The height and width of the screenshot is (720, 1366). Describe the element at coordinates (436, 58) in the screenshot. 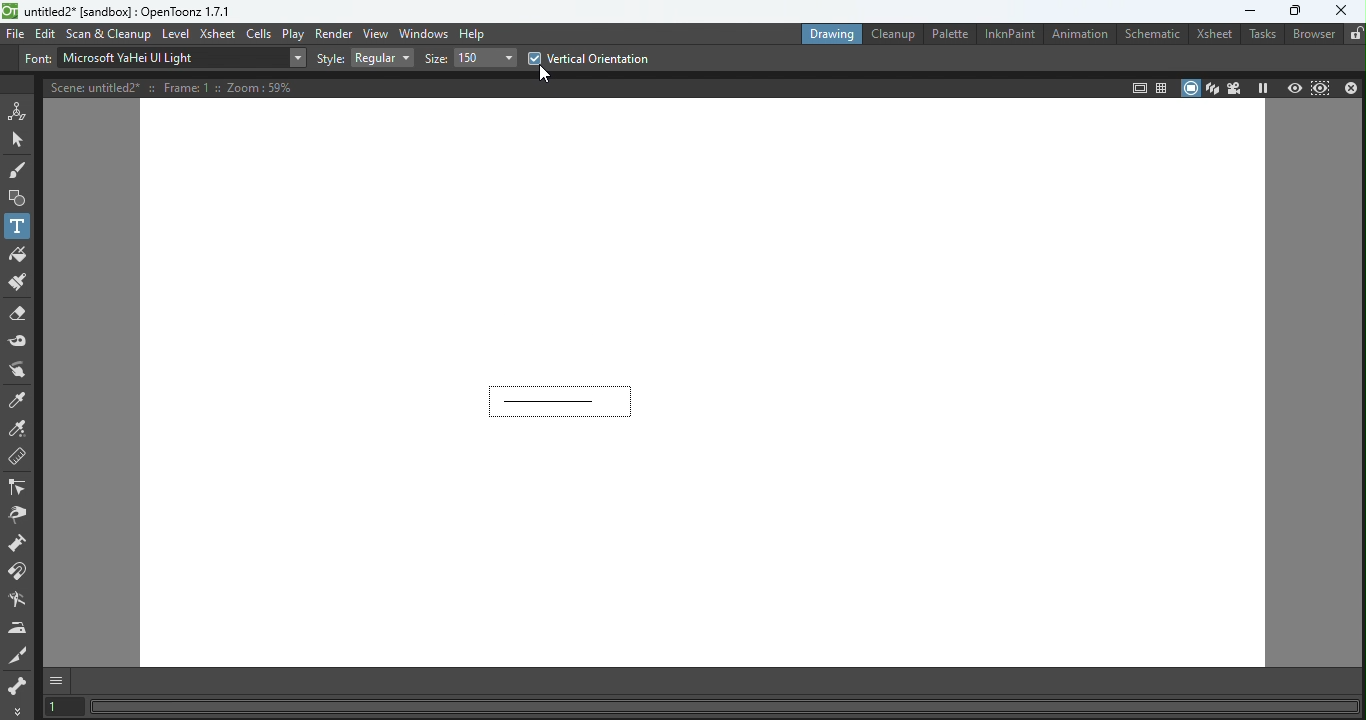

I see `Size` at that location.